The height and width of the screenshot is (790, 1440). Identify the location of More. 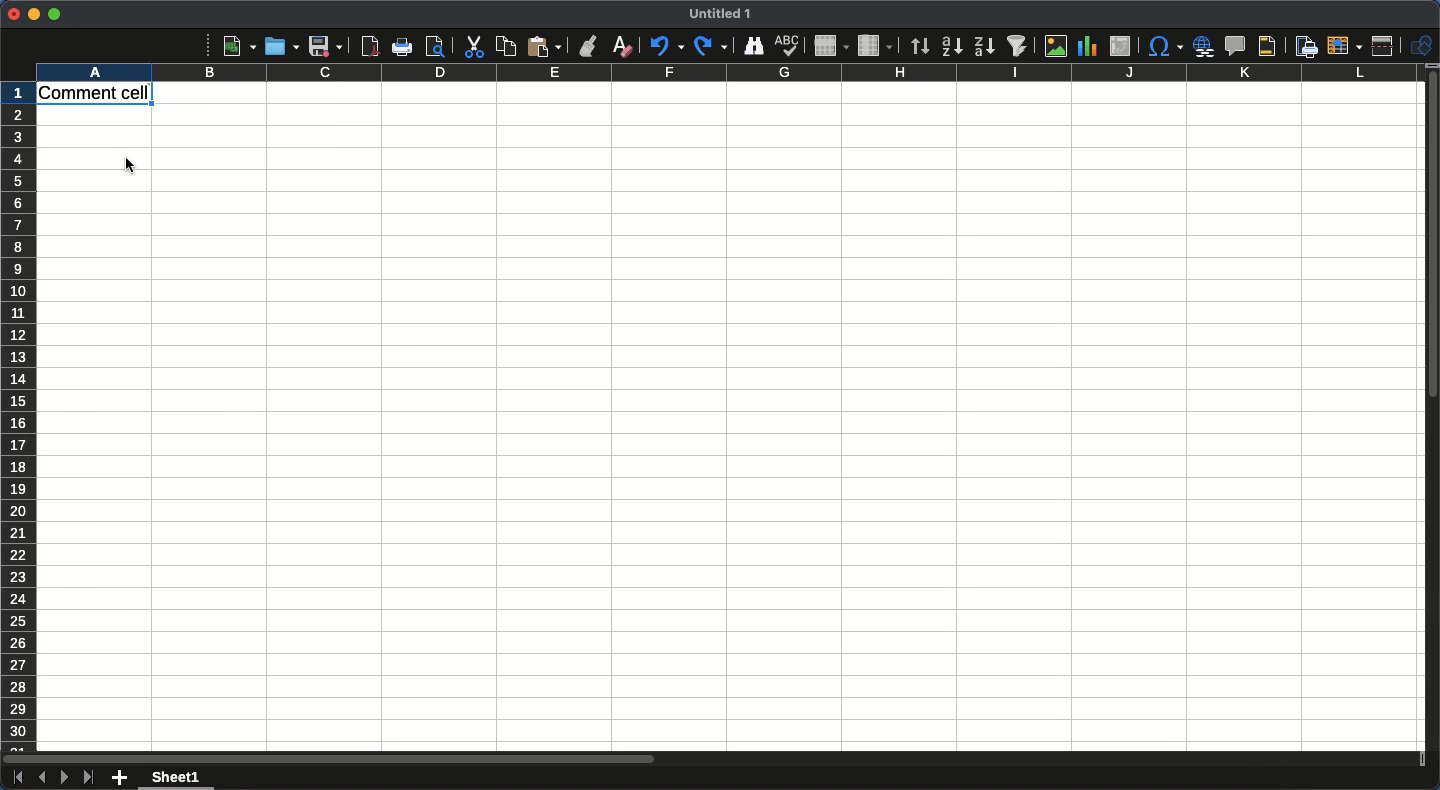
(202, 47).